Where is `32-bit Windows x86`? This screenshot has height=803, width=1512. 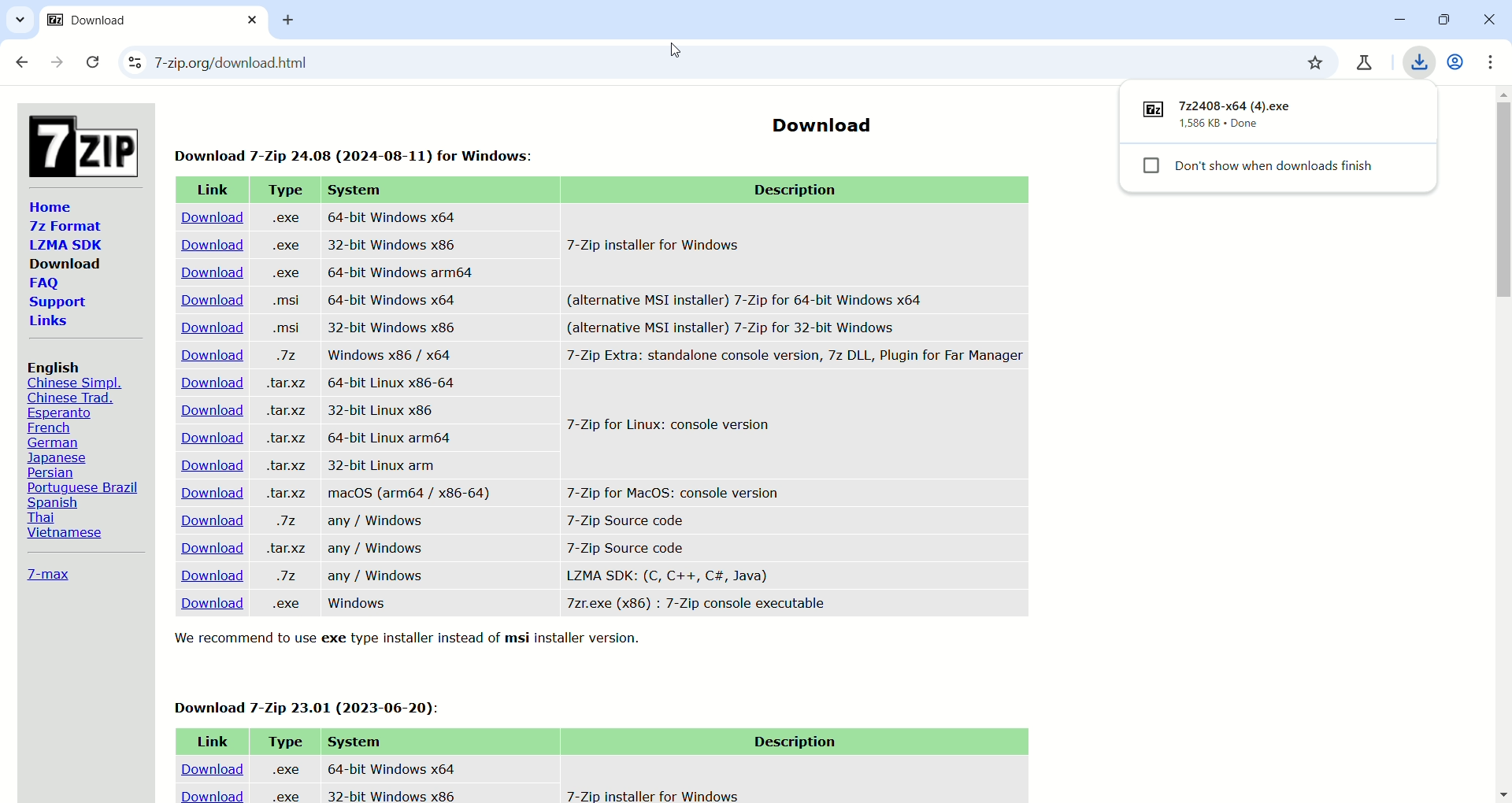
32-bit Windows x86 is located at coordinates (389, 794).